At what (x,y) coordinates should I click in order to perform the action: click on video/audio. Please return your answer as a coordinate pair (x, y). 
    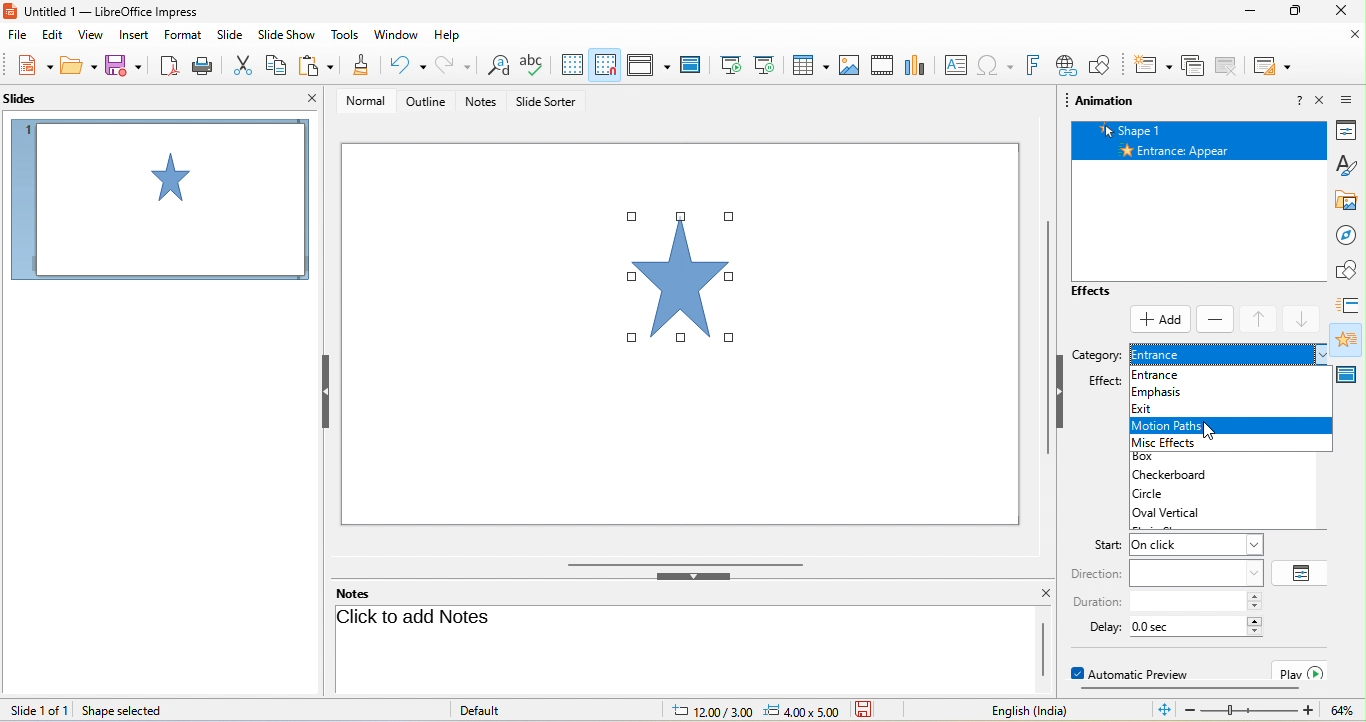
    Looking at the image, I should click on (882, 64).